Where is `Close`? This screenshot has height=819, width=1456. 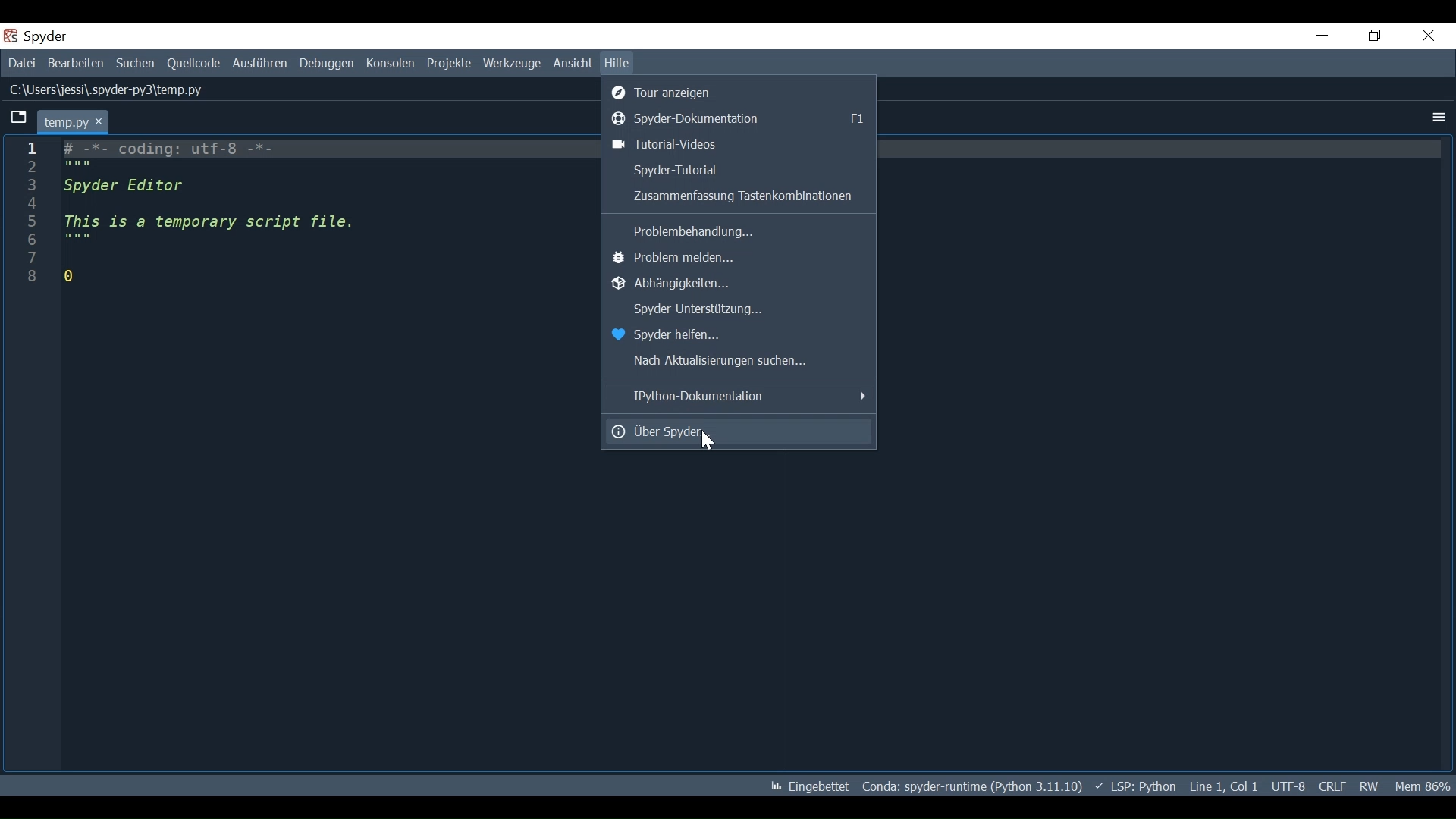
Close is located at coordinates (1427, 37).